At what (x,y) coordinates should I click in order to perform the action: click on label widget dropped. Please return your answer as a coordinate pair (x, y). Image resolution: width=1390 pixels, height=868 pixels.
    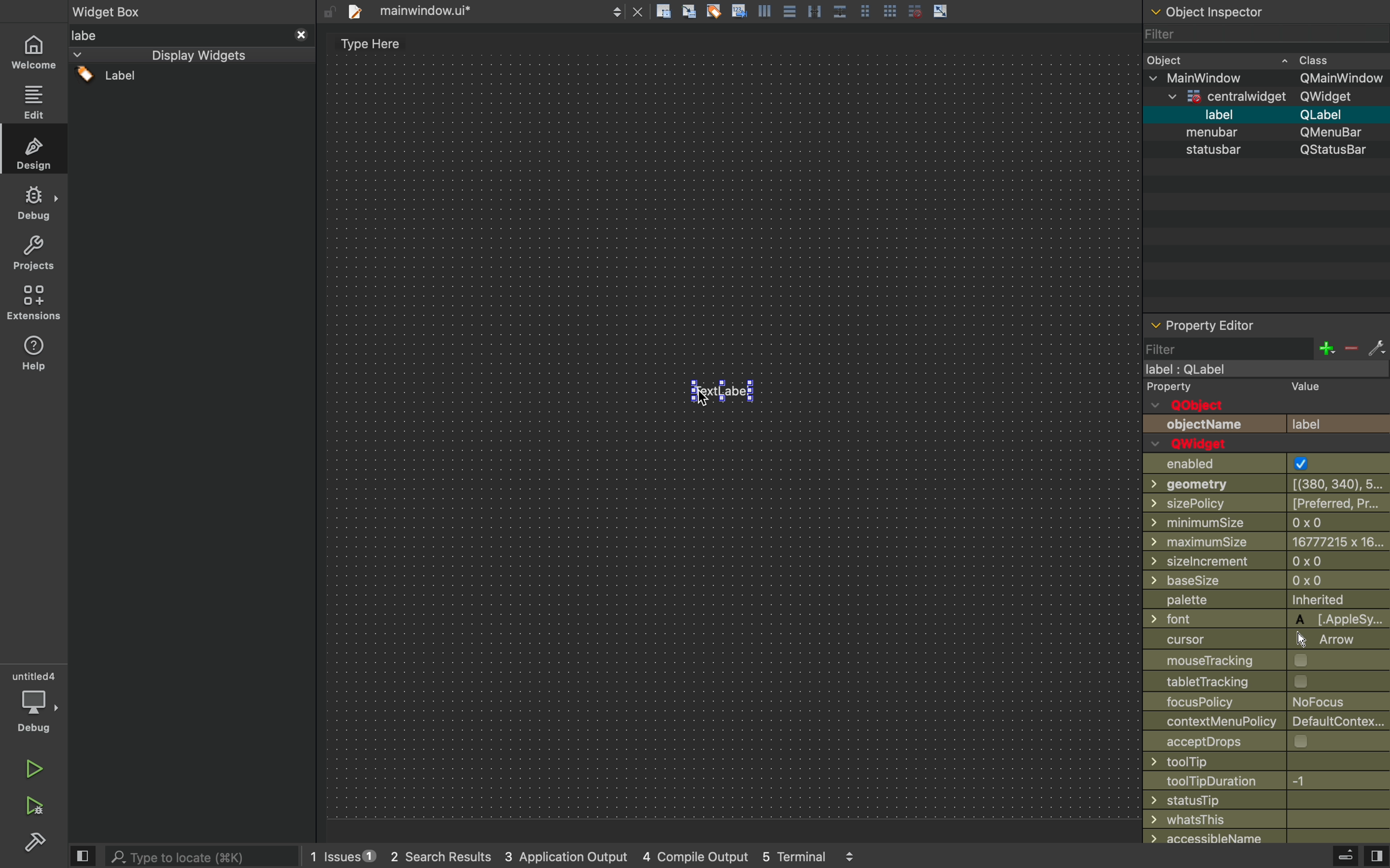
    Looking at the image, I should click on (726, 388).